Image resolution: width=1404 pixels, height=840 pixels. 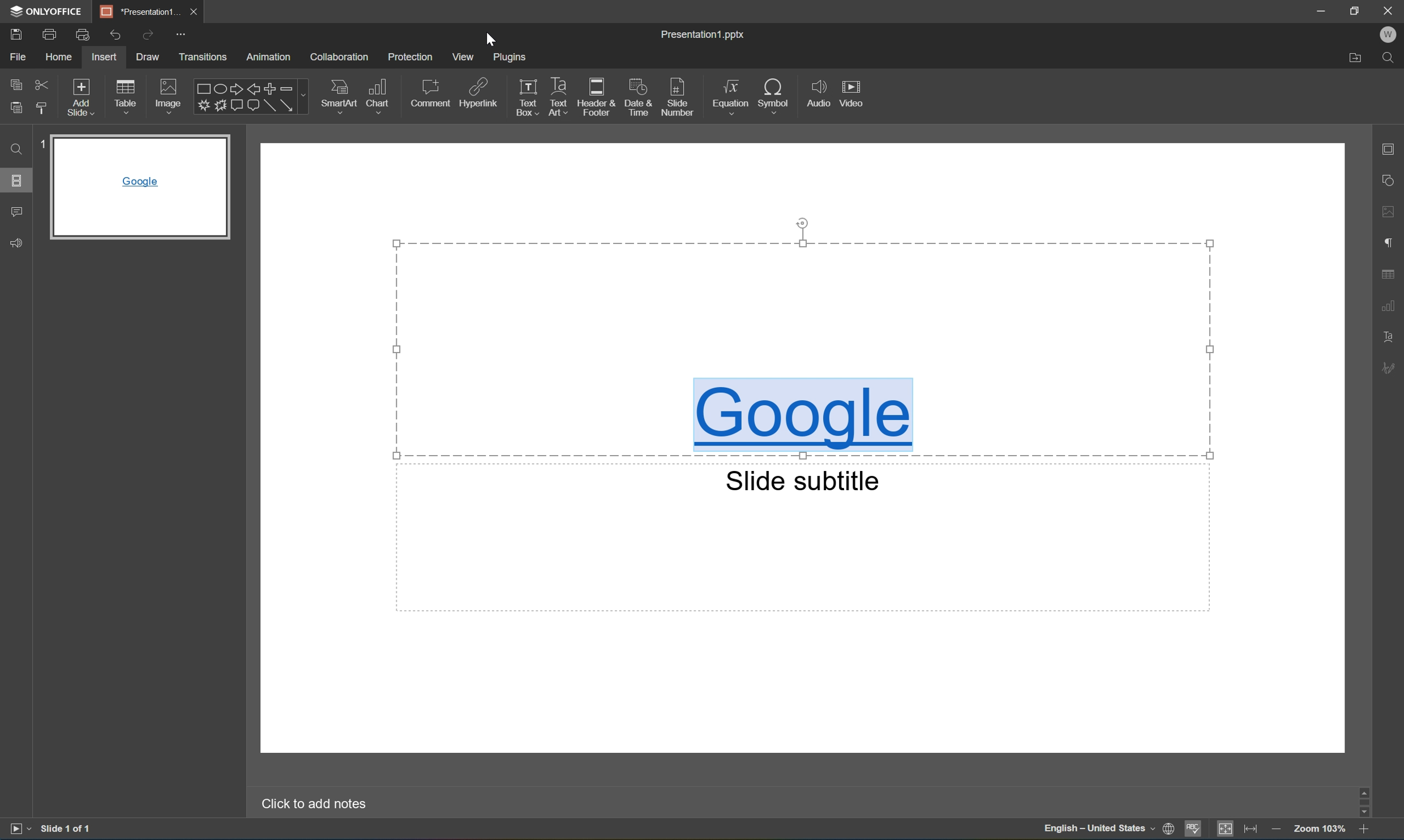 What do you see at coordinates (148, 35) in the screenshot?
I see `Redo` at bounding box center [148, 35].